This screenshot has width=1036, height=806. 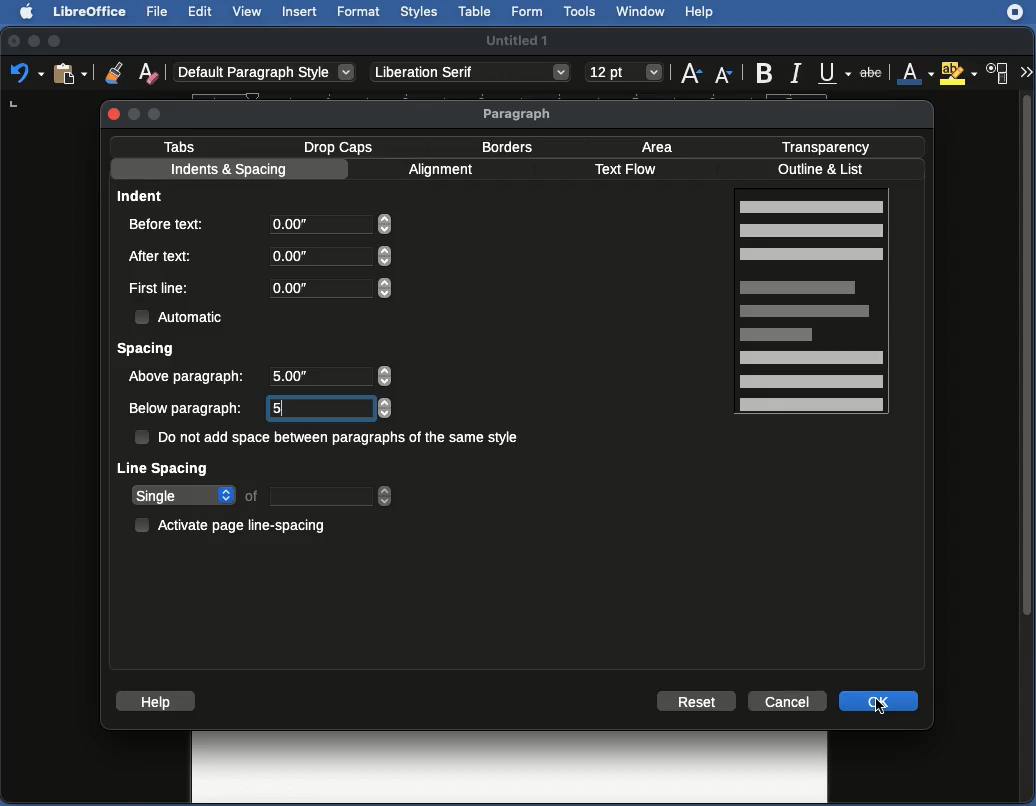 What do you see at coordinates (789, 700) in the screenshot?
I see `Cancel` at bounding box center [789, 700].